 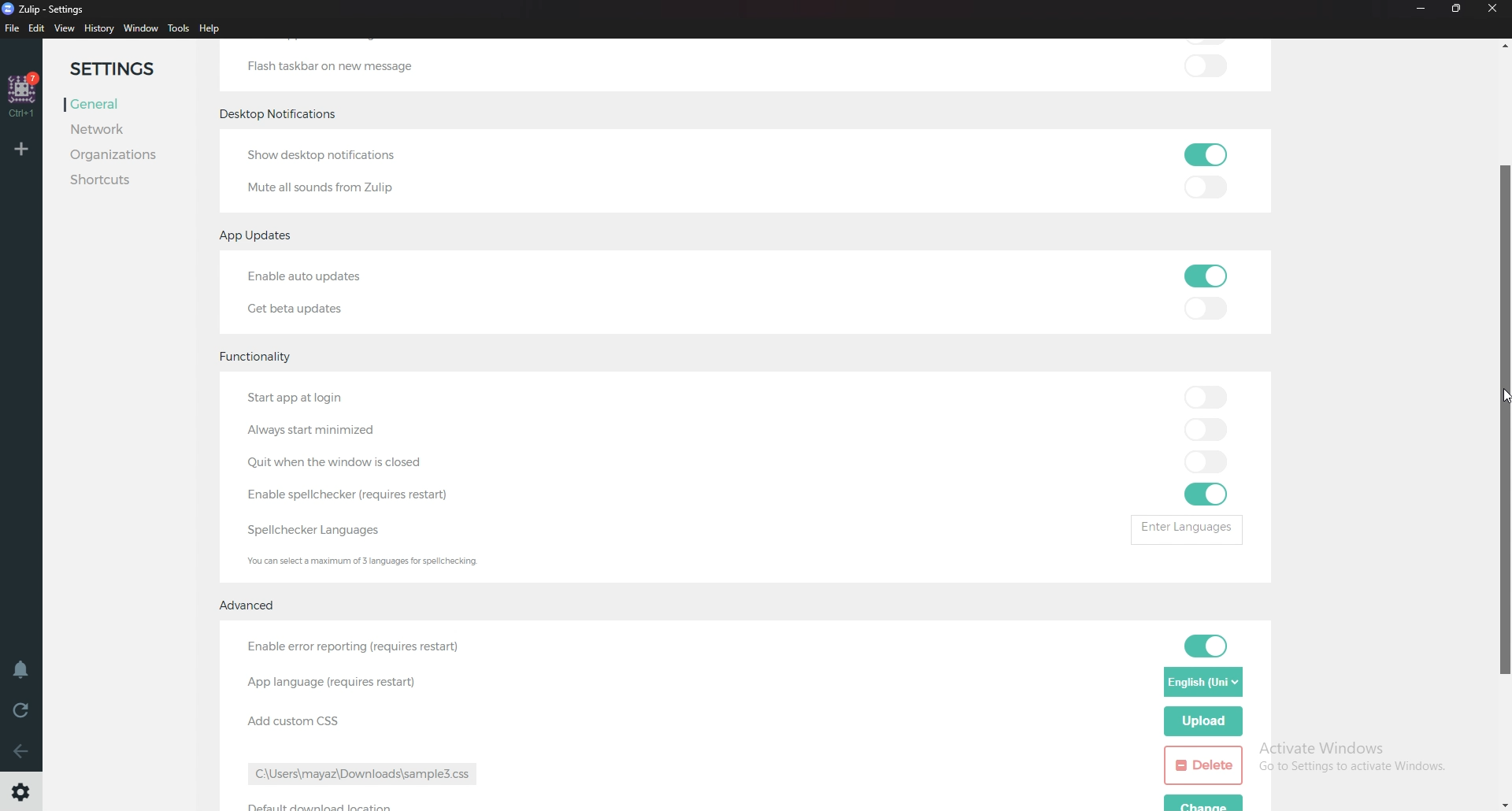 What do you see at coordinates (1206, 65) in the screenshot?
I see `toggle` at bounding box center [1206, 65].